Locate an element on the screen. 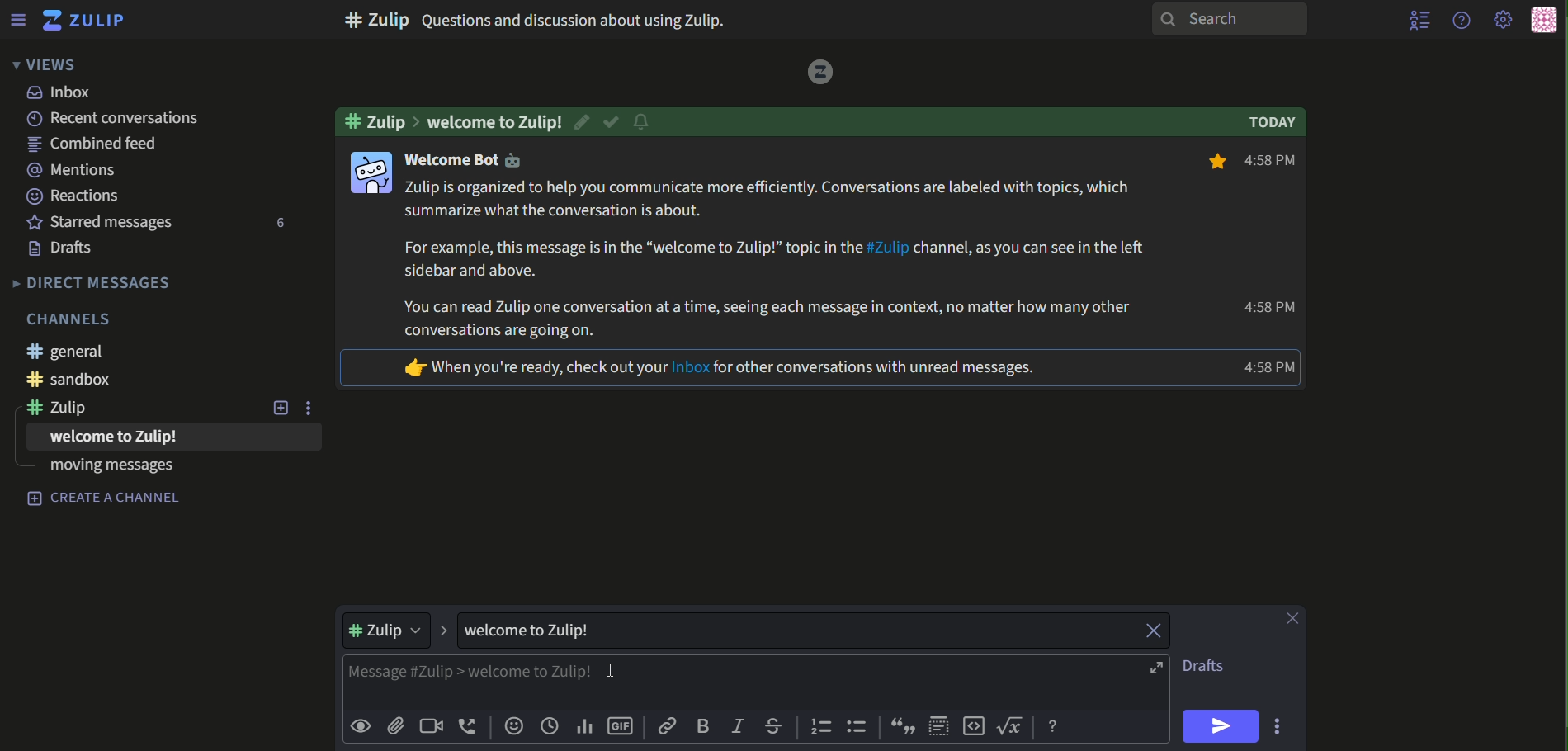  text is located at coordinates (1211, 667).